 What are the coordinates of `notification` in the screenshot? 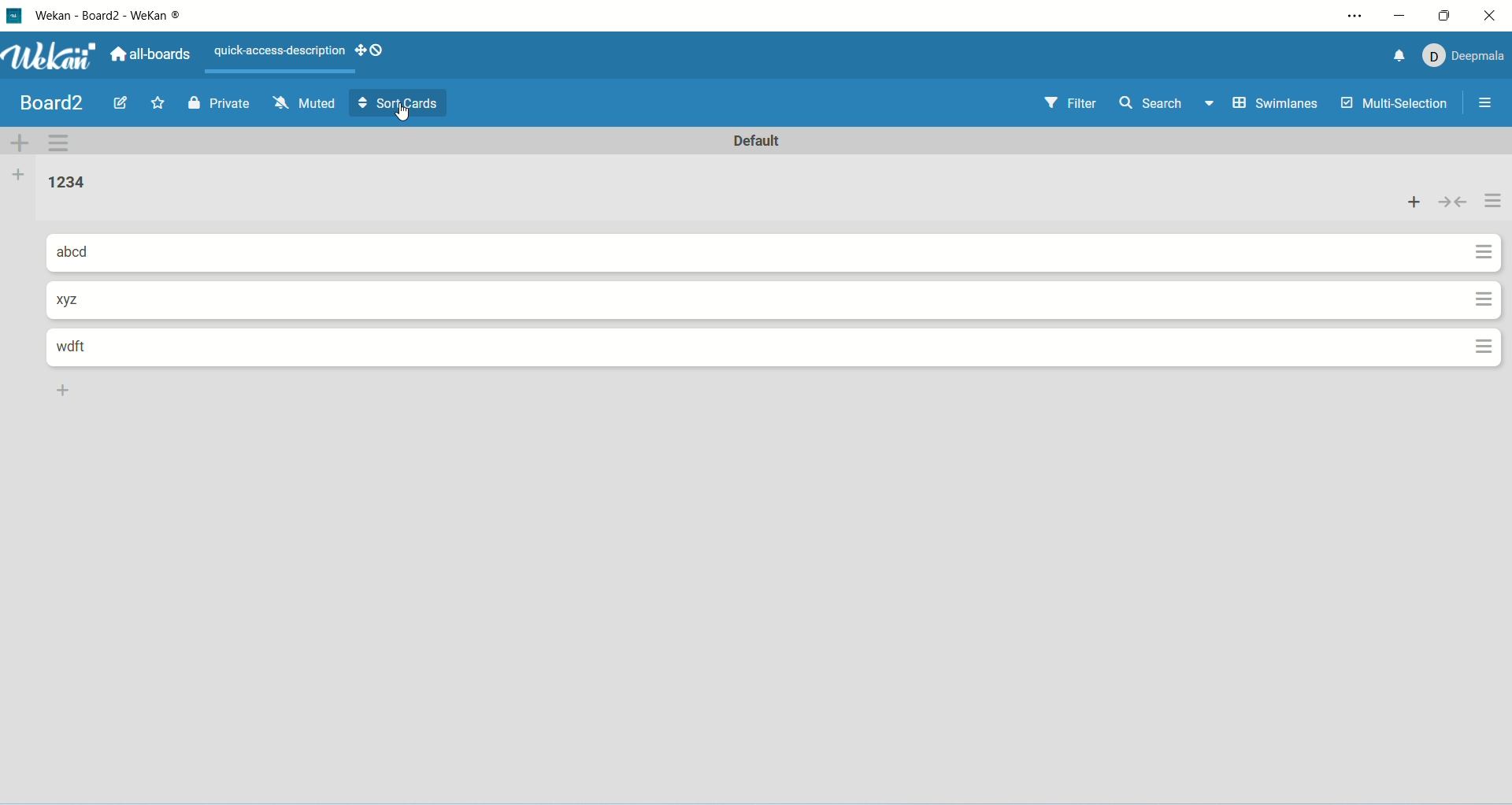 It's located at (1400, 56).